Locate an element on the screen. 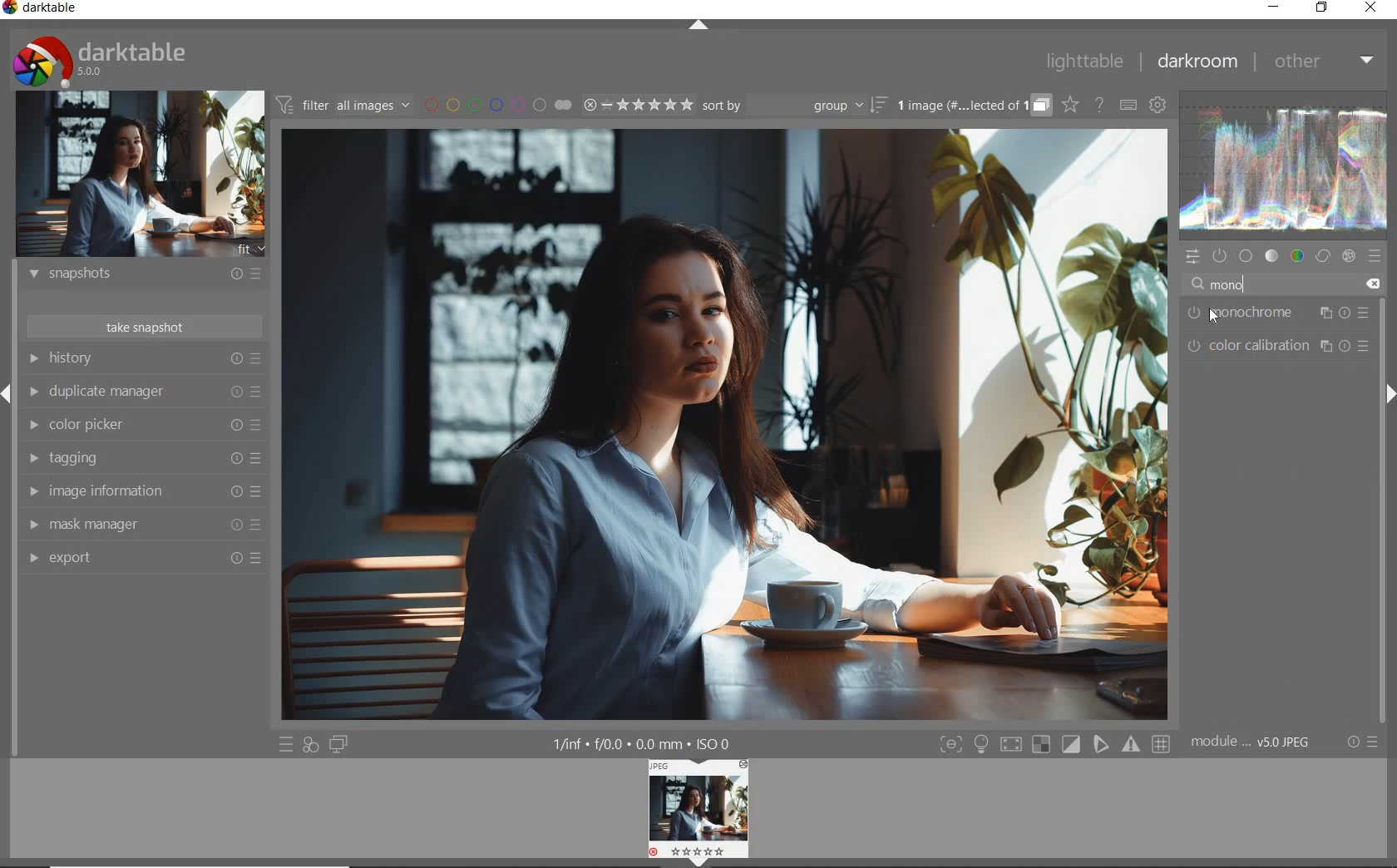 This screenshot has width=1397, height=868. Image preview is located at coordinates (701, 812).